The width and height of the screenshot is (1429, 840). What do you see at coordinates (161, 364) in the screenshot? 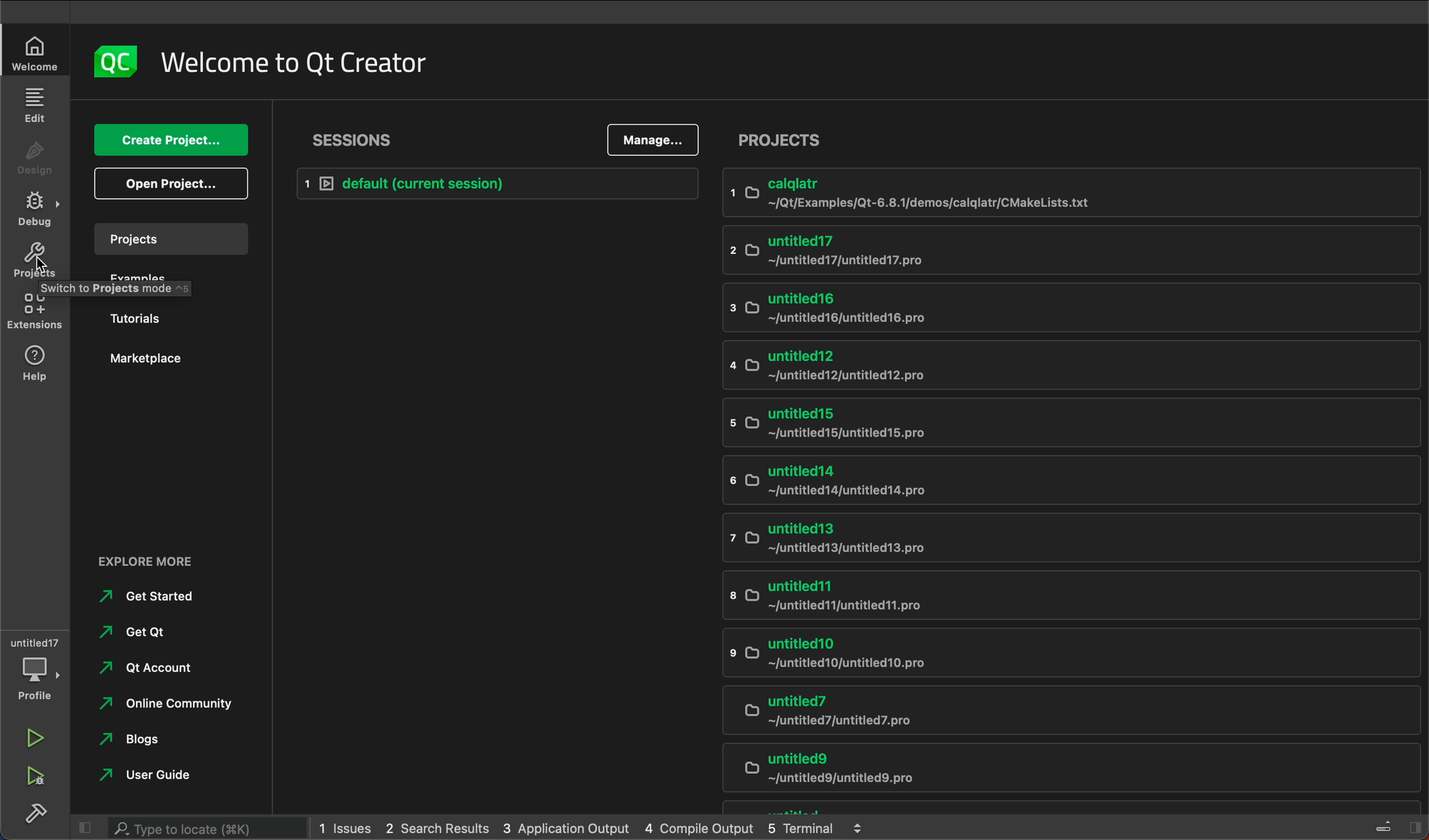
I see `Marketplace` at bounding box center [161, 364].